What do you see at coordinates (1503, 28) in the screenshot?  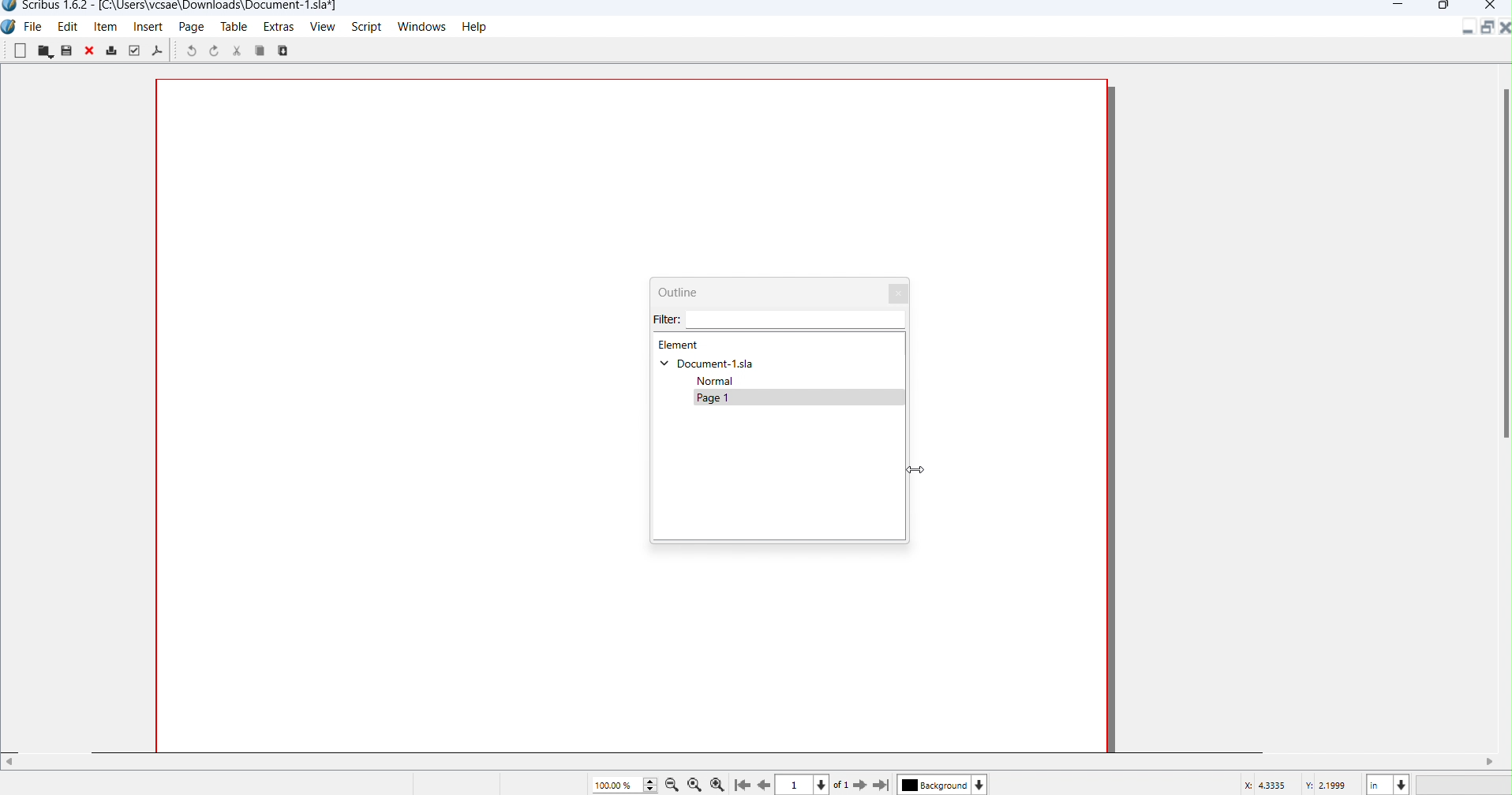 I see `Close` at bounding box center [1503, 28].